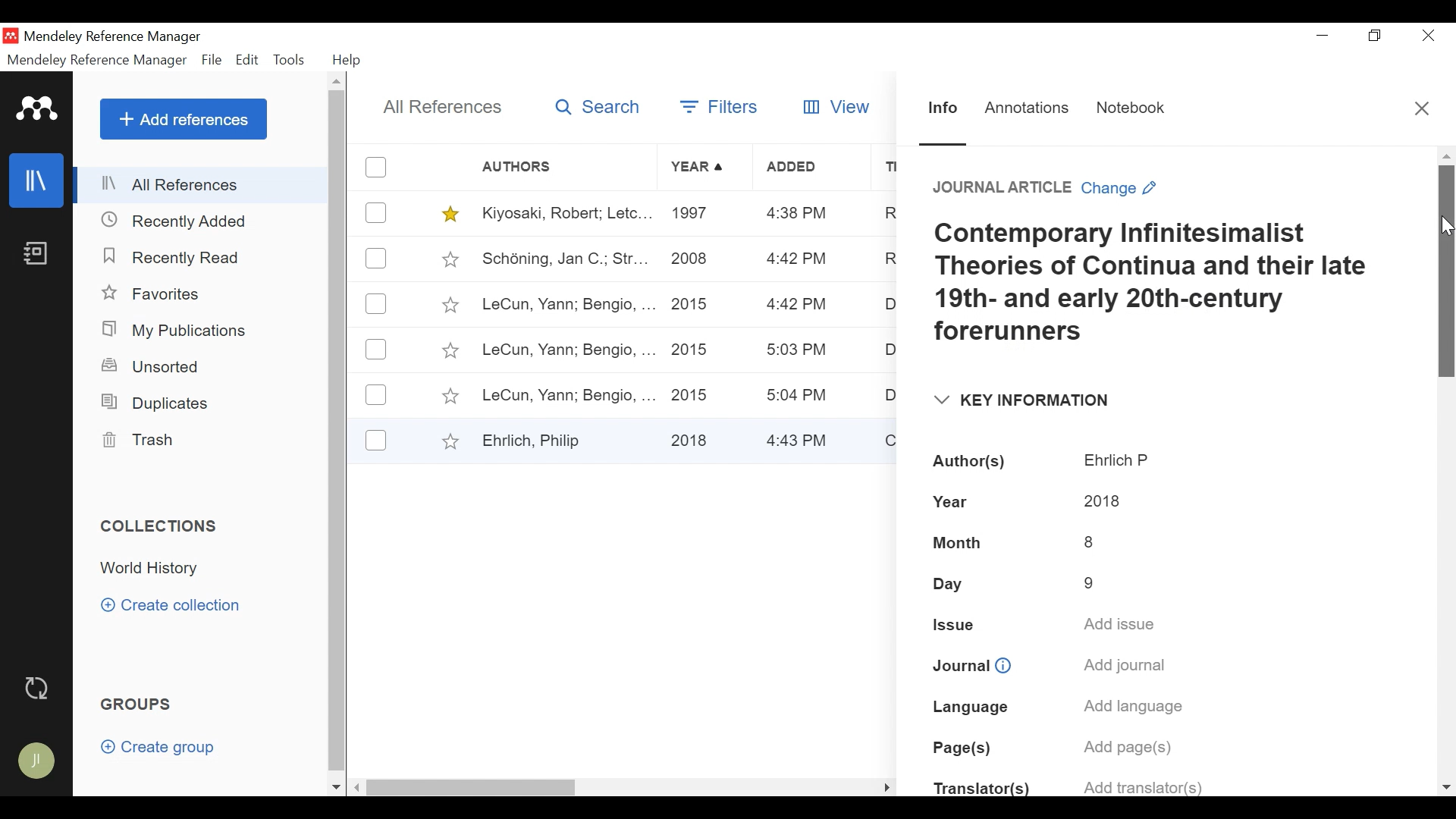  What do you see at coordinates (183, 221) in the screenshot?
I see `Recently Added` at bounding box center [183, 221].